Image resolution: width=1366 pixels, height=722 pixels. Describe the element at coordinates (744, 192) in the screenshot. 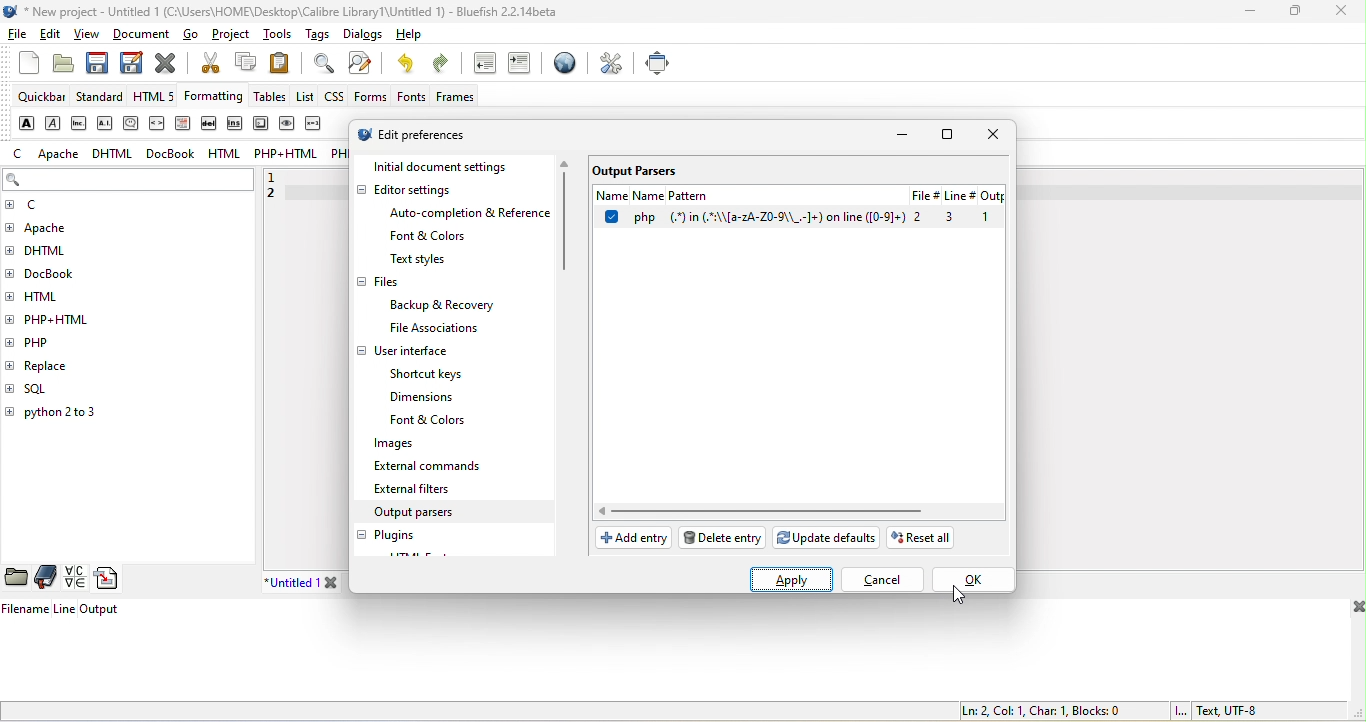

I see `name pattern` at that location.